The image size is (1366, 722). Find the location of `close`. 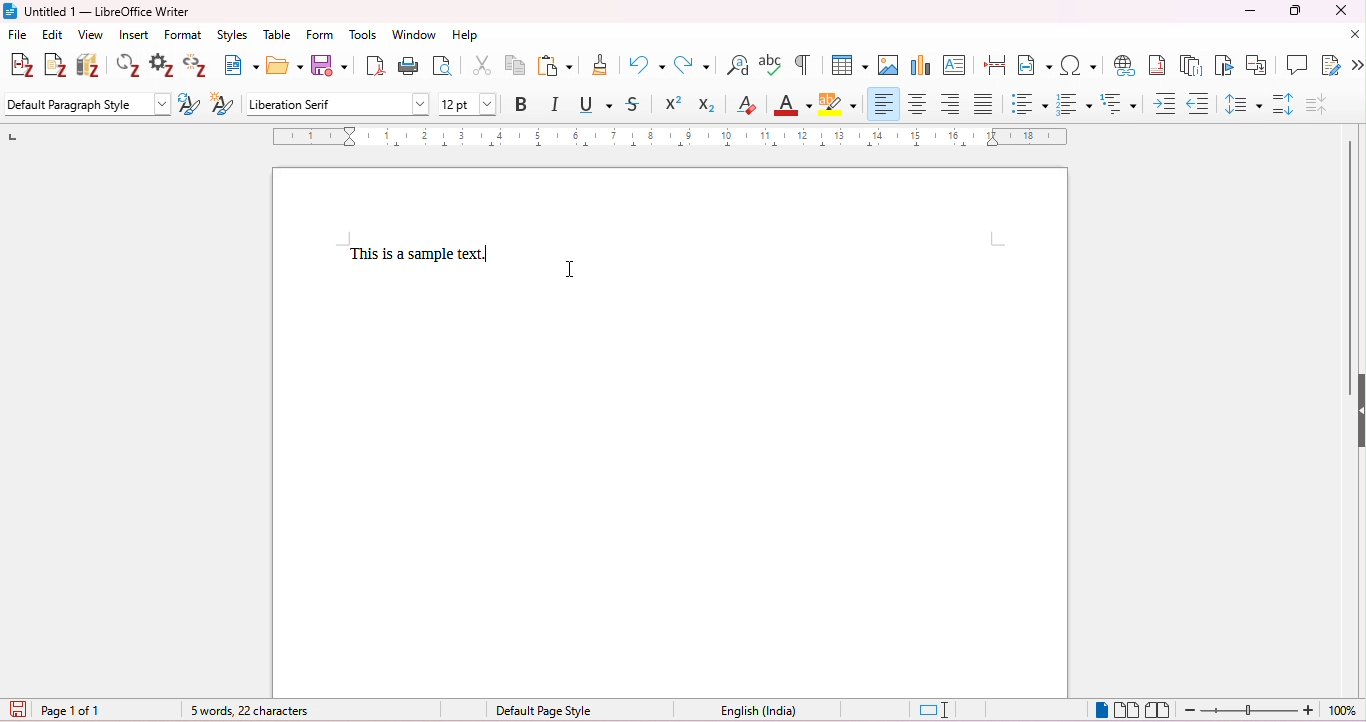

close is located at coordinates (1338, 10).